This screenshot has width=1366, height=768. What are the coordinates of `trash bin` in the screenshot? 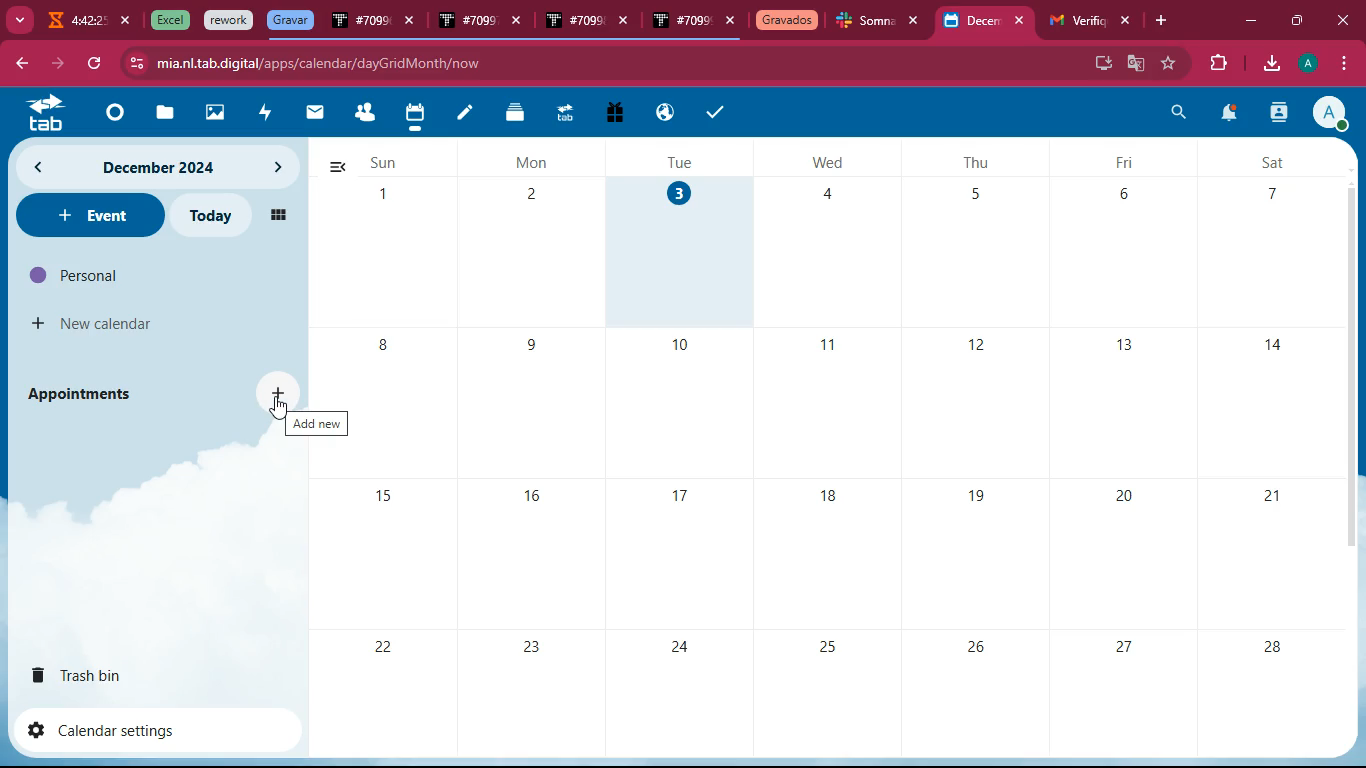 It's located at (96, 674).